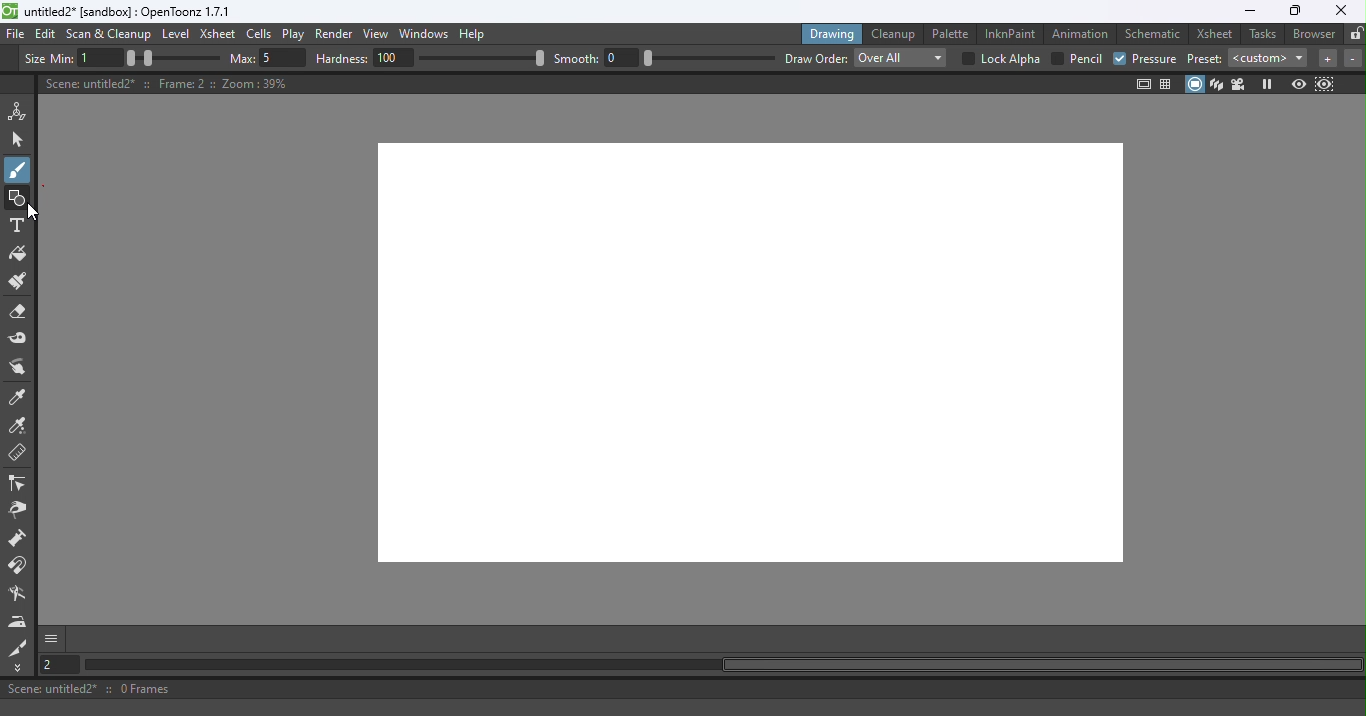 The height and width of the screenshot is (716, 1366). What do you see at coordinates (21, 111) in the screenshot?
I see `Animate tool` at bounding box center [21, 111].